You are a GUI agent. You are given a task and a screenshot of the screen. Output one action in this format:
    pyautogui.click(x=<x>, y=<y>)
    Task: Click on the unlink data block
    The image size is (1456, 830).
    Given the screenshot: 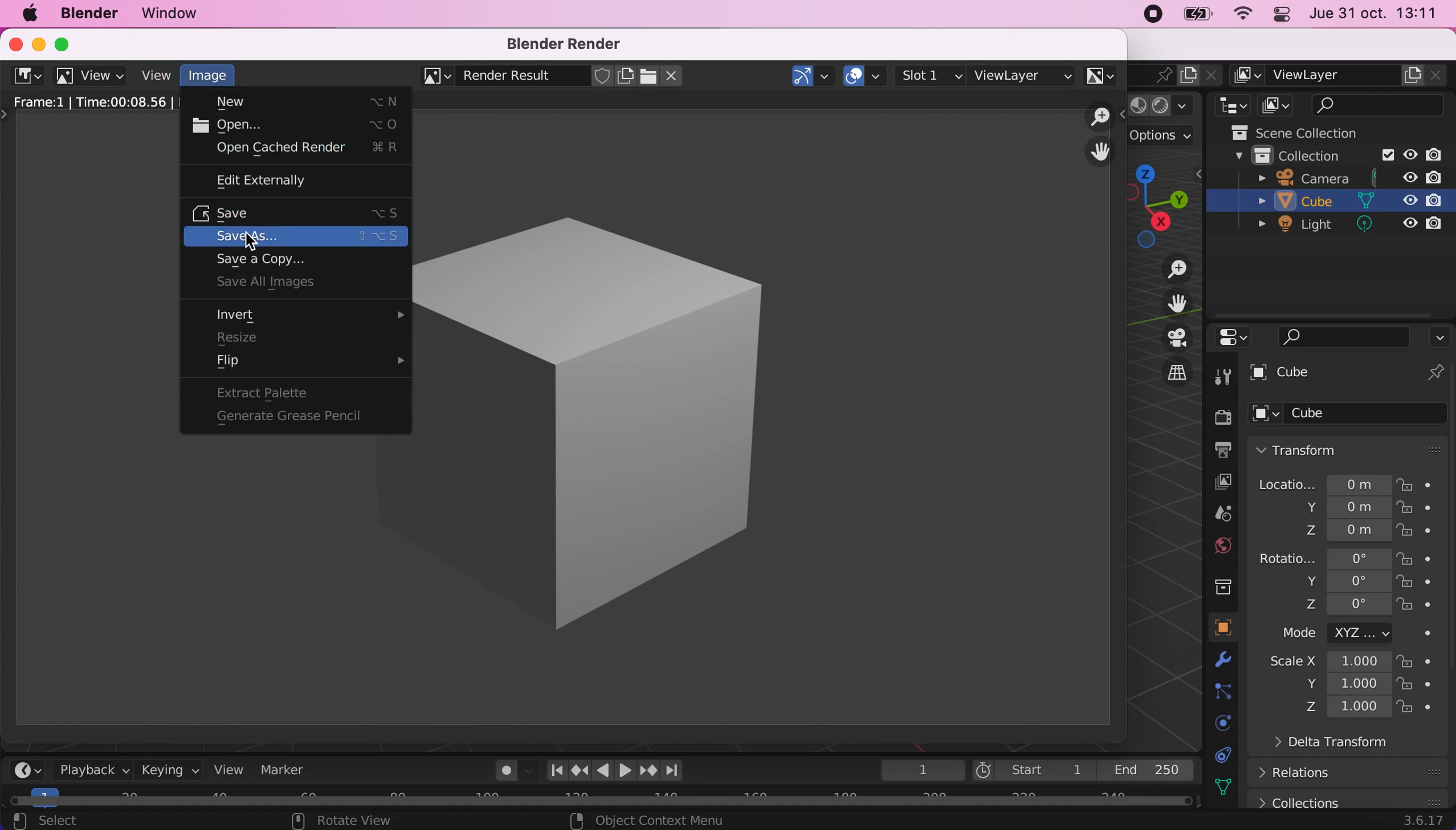 What is the action you would take?
    pyautogui.click(x=675, y=76)
    